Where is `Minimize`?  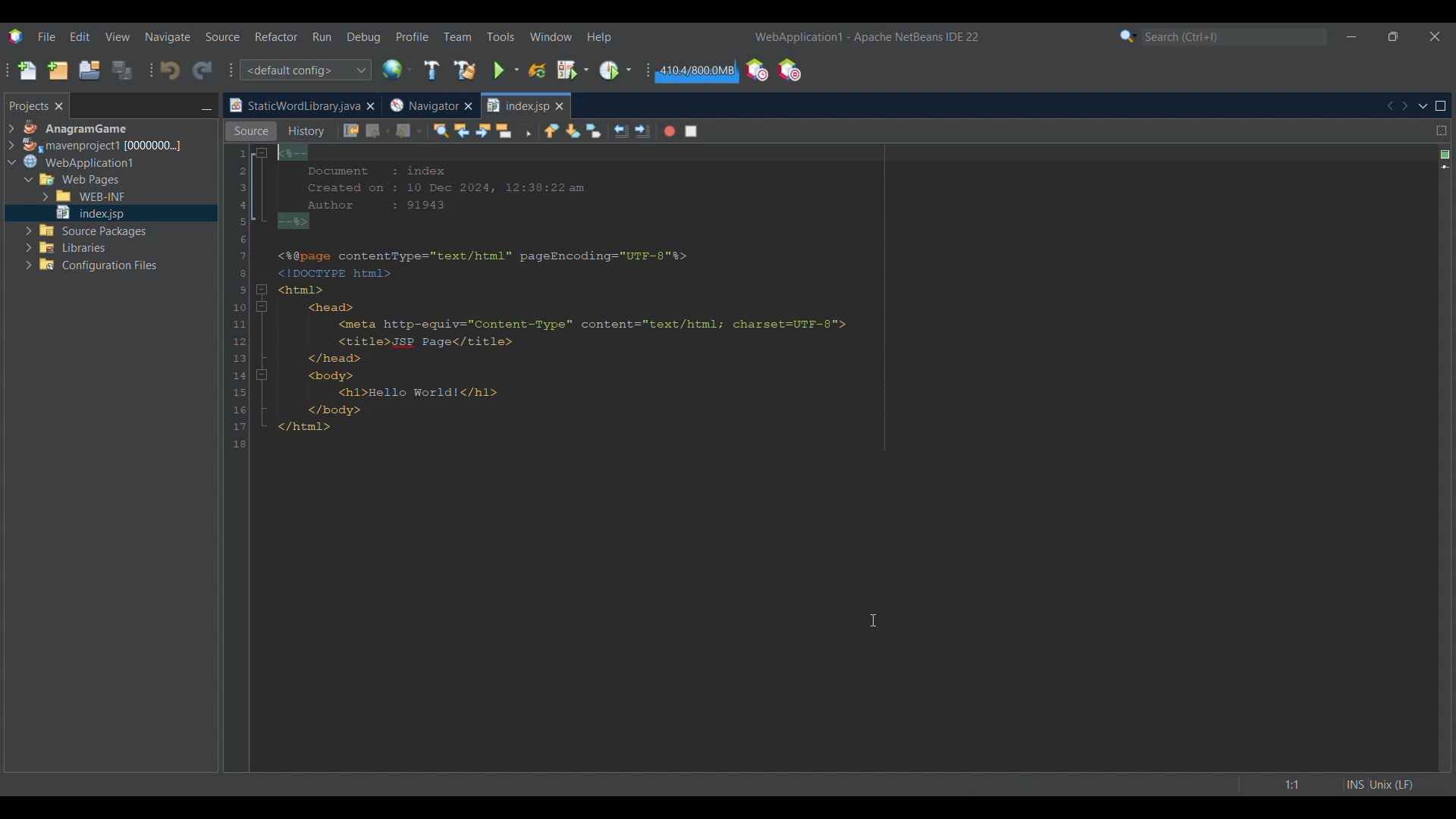 Minimize is located at coordinates (206, 107).